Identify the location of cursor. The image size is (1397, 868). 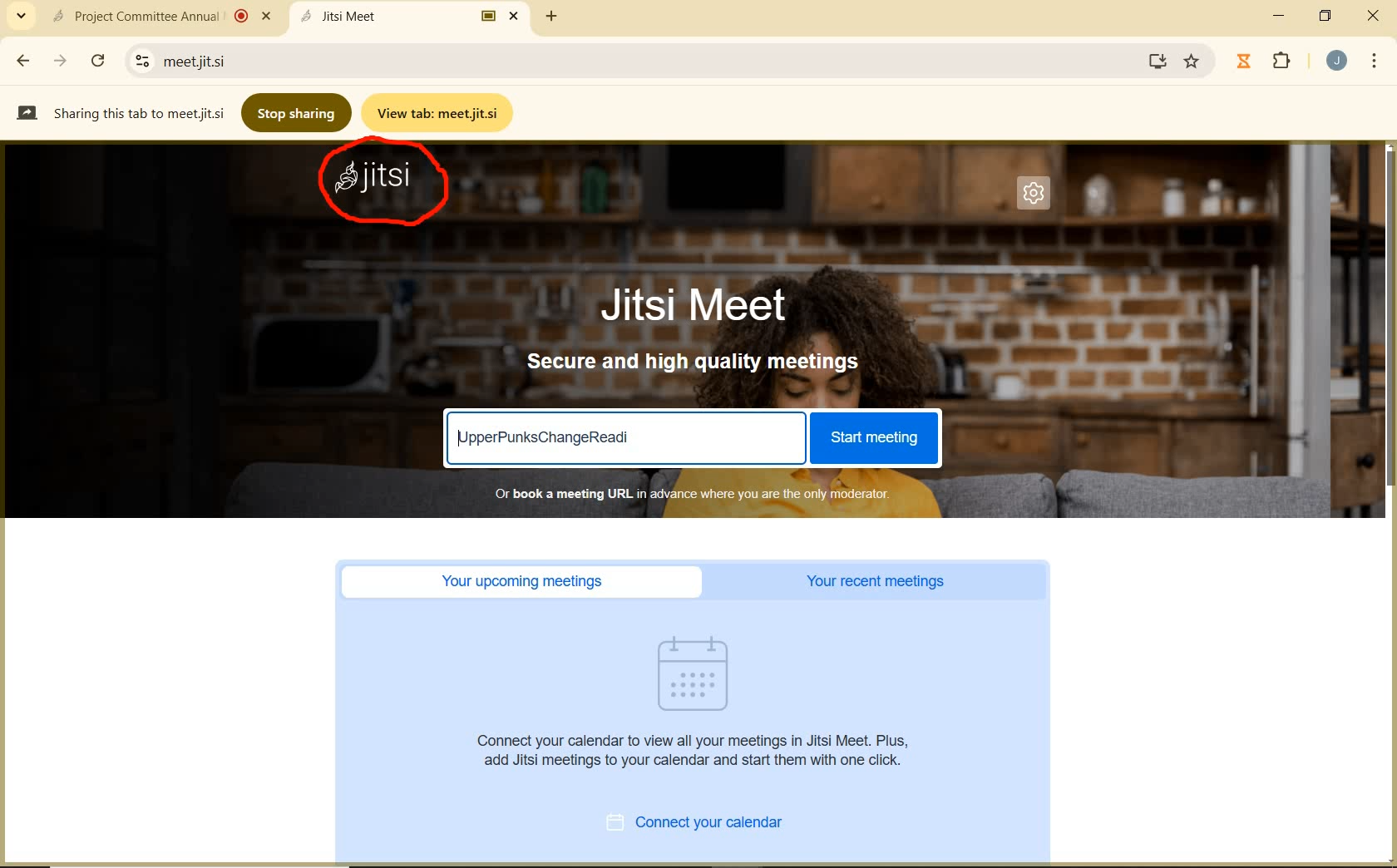
(866, 645).